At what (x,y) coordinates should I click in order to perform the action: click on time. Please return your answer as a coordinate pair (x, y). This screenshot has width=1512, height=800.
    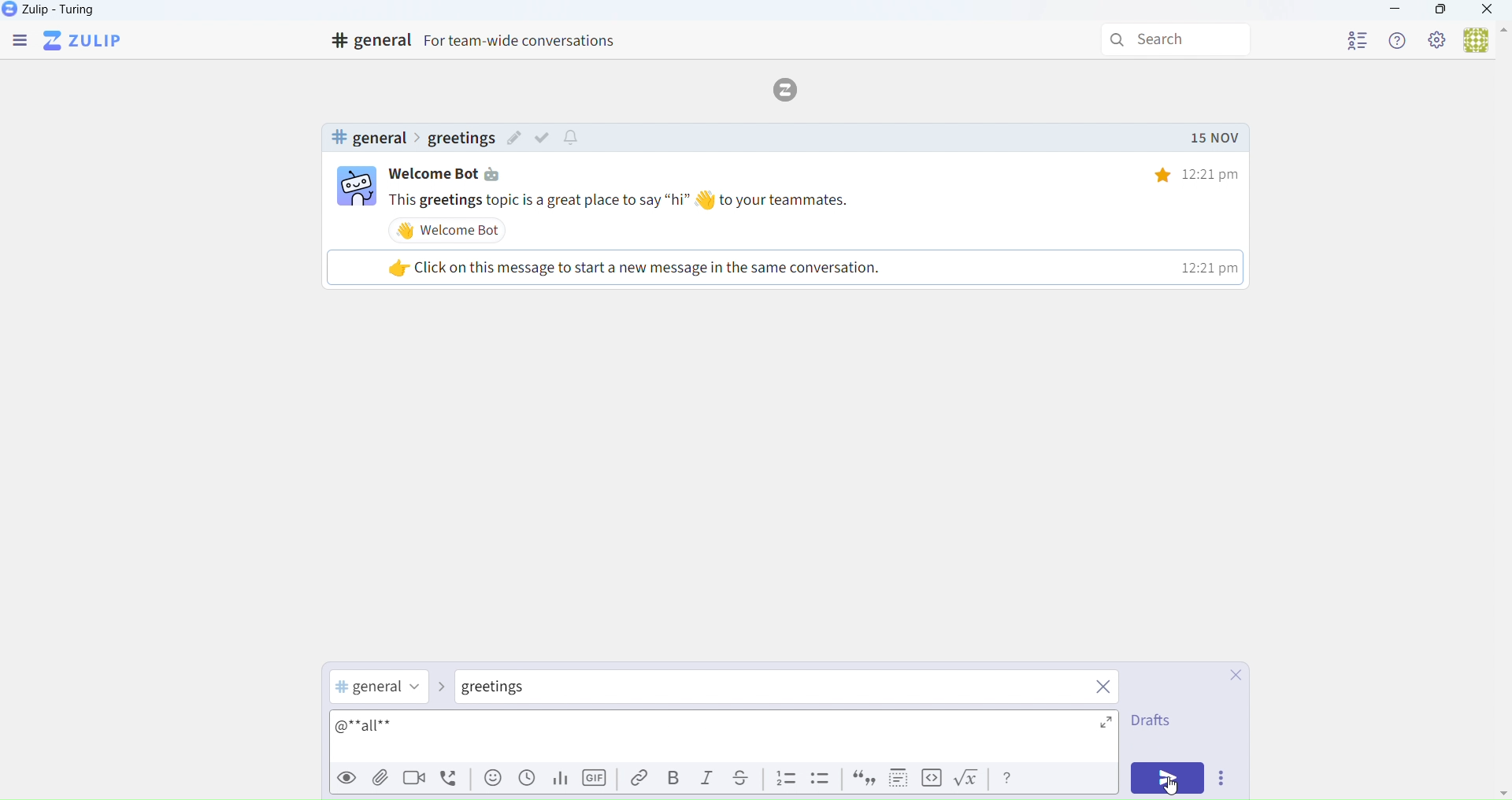
    Looking at the image, I should click on (1185, 174).